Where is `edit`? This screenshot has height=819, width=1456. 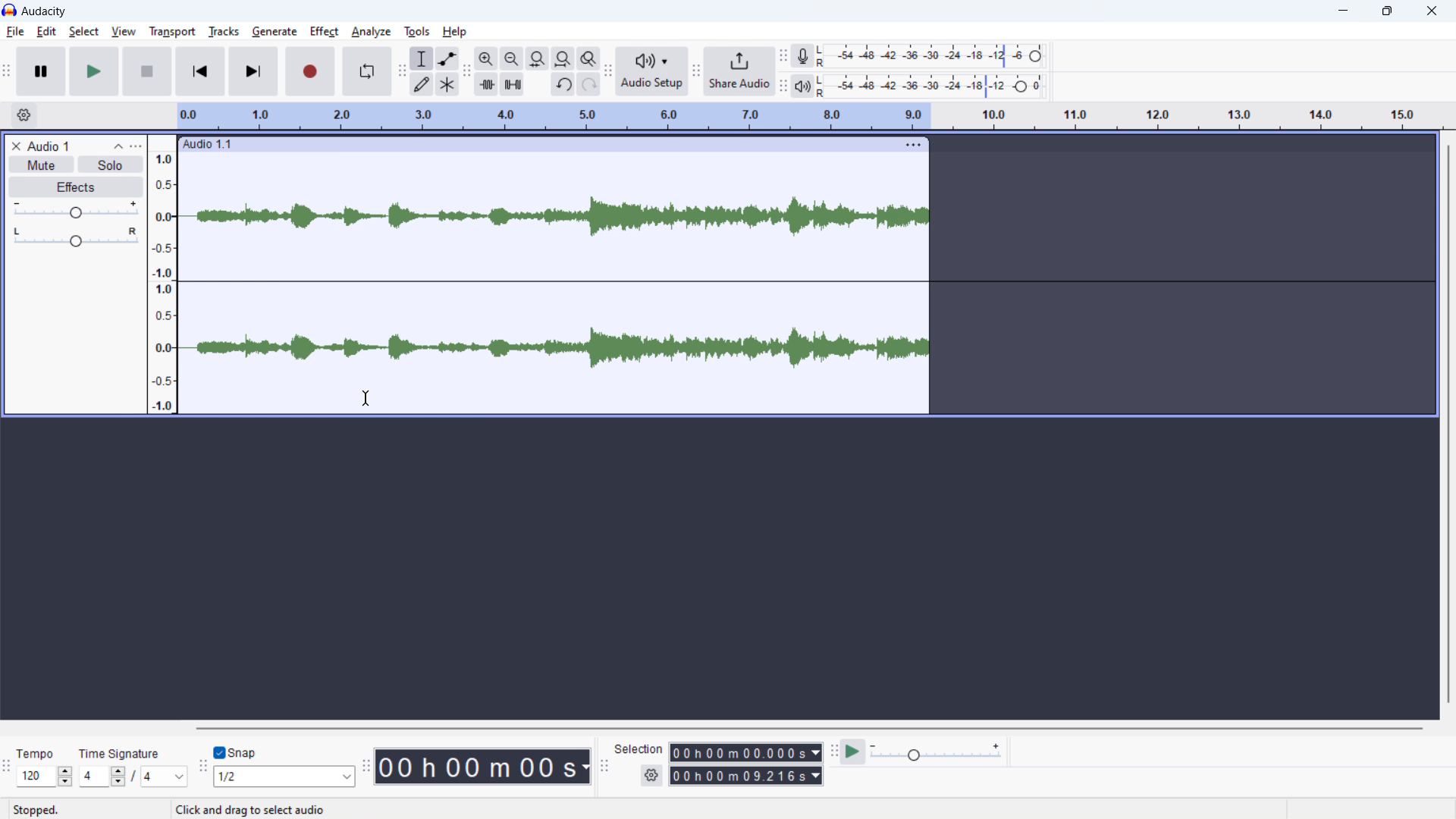
edit is located at coordinates (47, 31).